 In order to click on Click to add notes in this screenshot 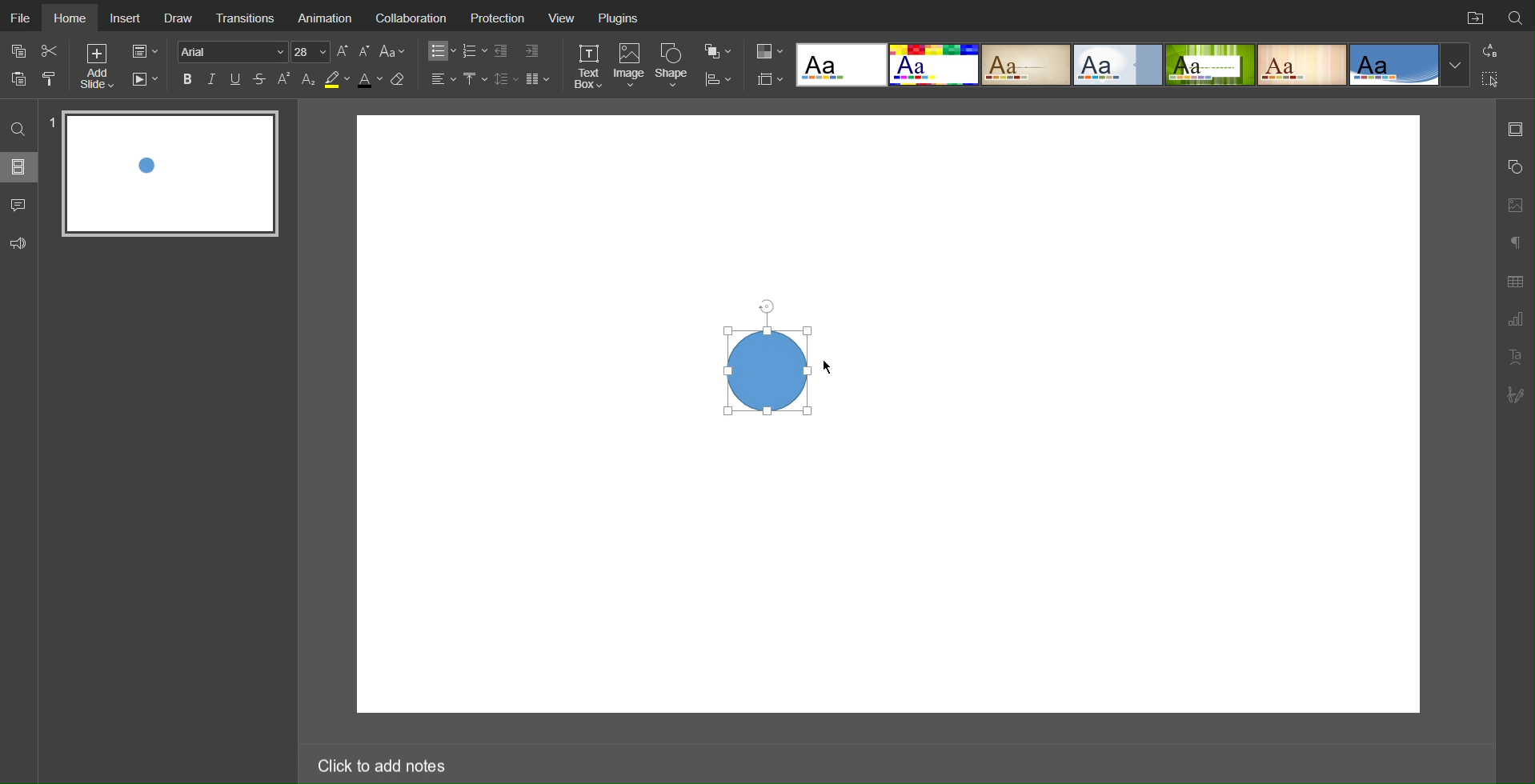, I will do `click(380, 762)`.